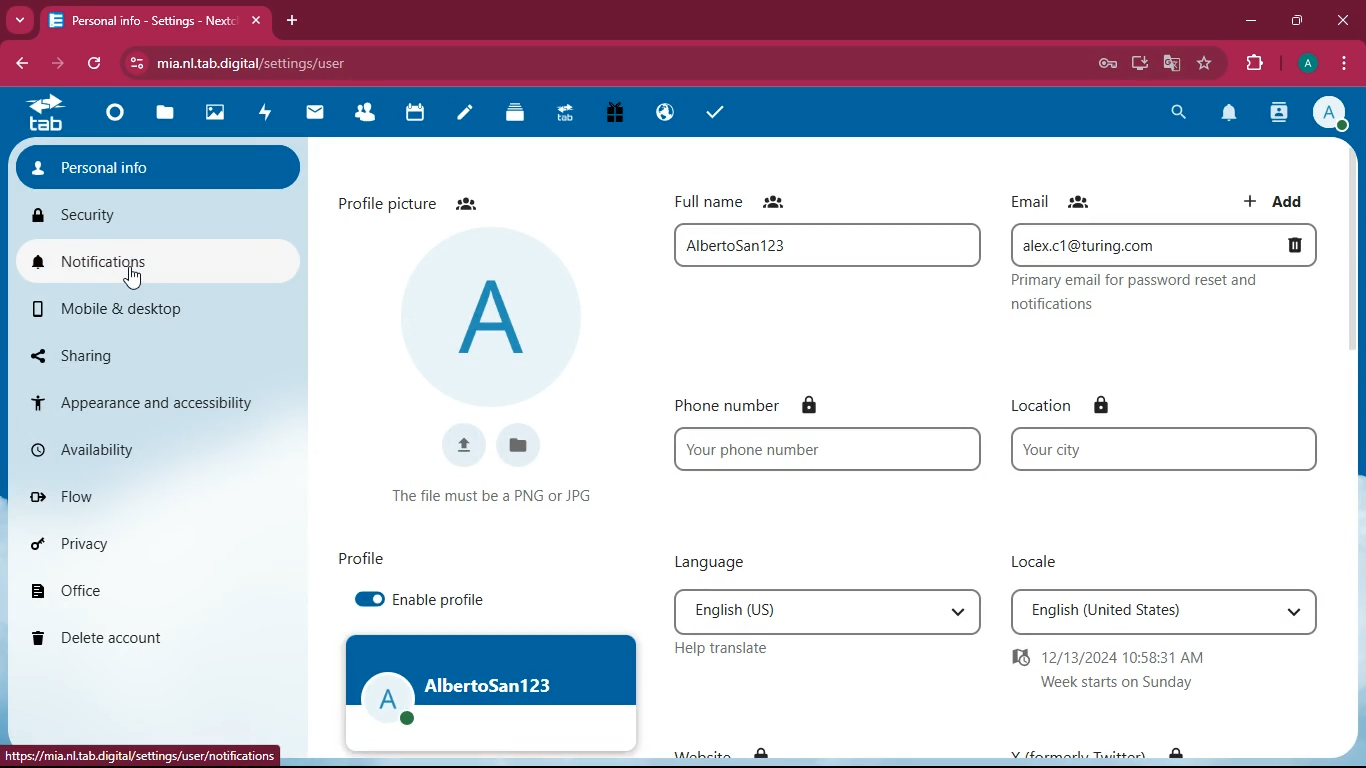 The height and width of the screenshot is (768, 1366). Describe the element at coordinates (1026, 199) in the screenshot. I see `email` at that location.